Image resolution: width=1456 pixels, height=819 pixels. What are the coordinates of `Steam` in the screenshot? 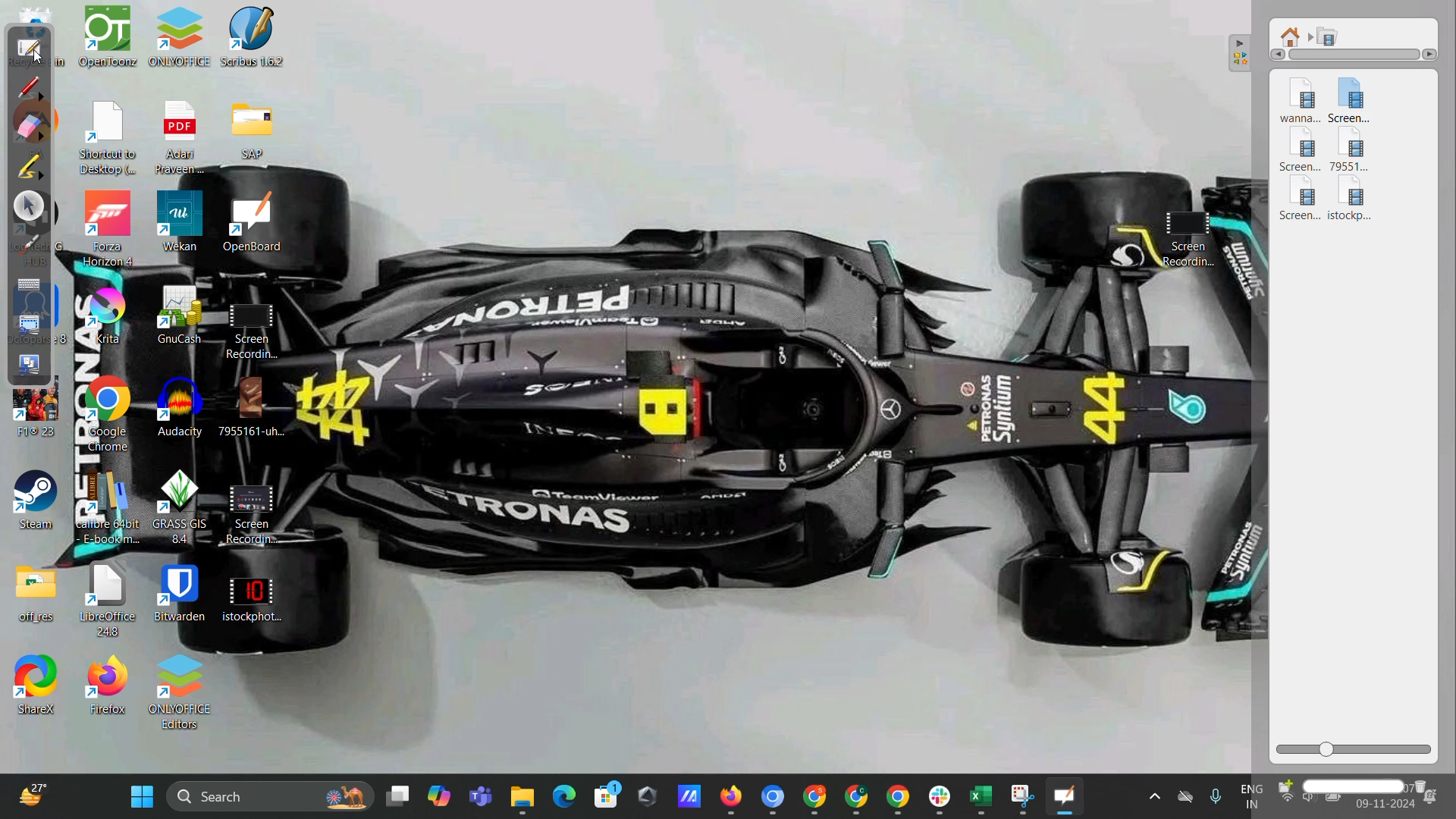 It's located at (37, 502).